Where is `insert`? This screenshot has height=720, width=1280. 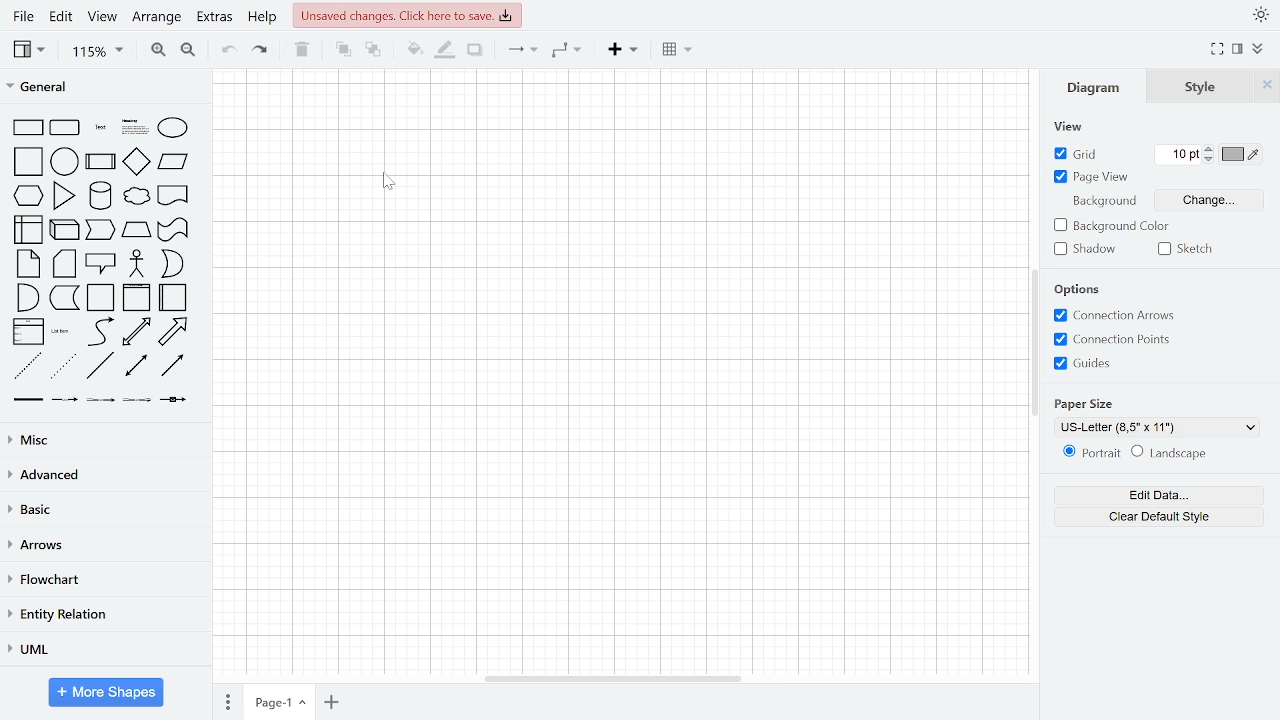 insert is located at coordinates (623, 51).